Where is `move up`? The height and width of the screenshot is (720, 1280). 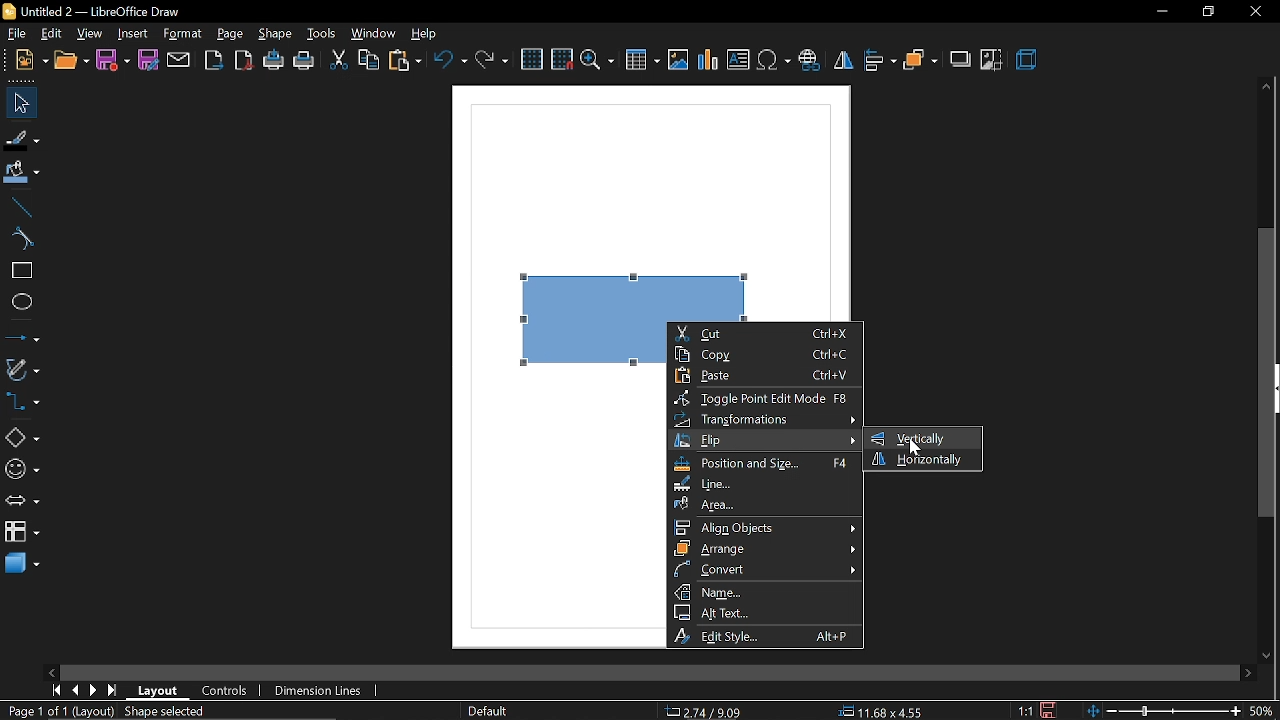
move up is located at coordinates (1266, 84).